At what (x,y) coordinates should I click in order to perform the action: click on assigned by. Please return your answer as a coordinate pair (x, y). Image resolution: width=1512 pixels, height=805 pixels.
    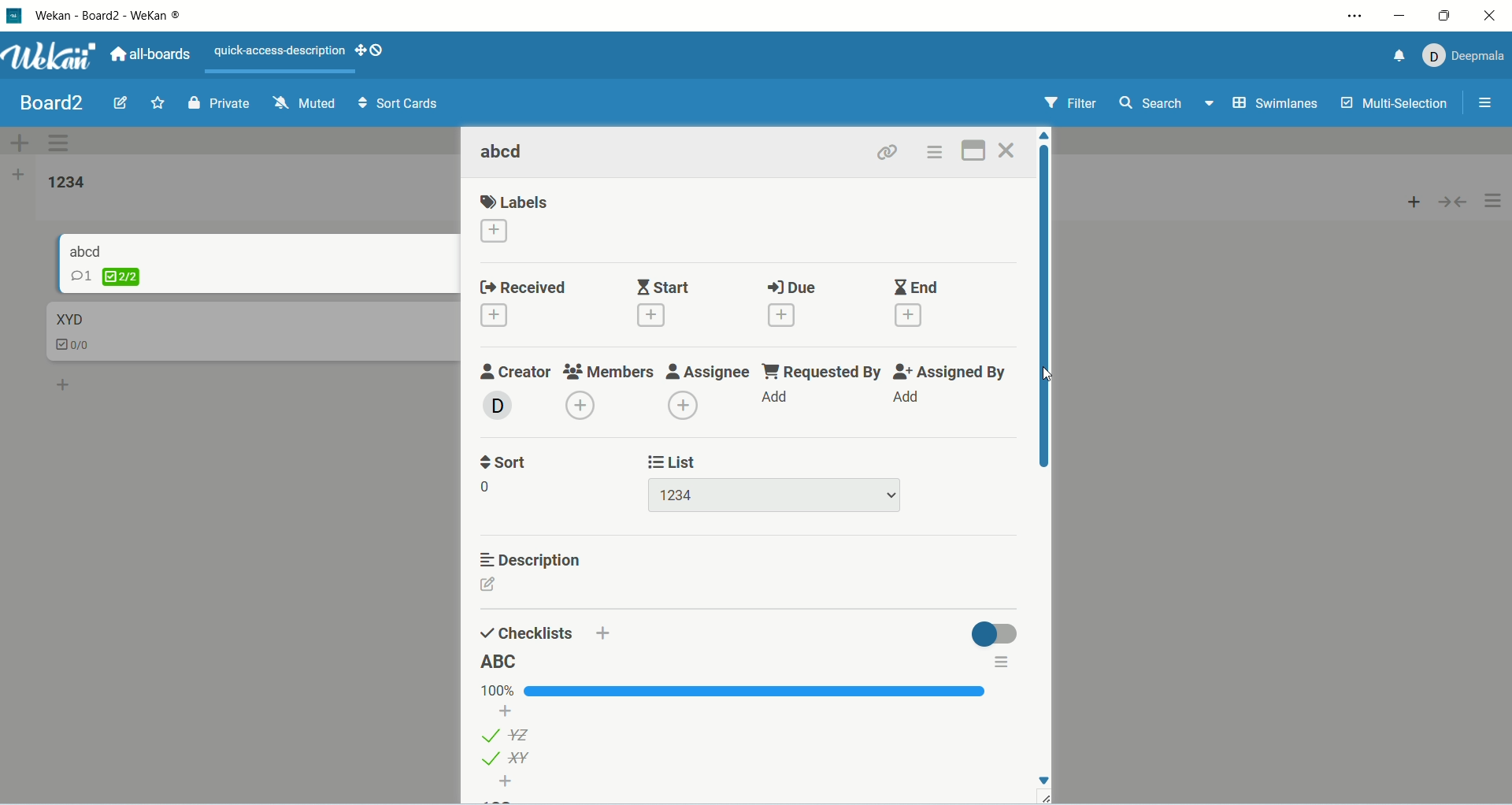
    Looking at the image, I should click on (951, 372).